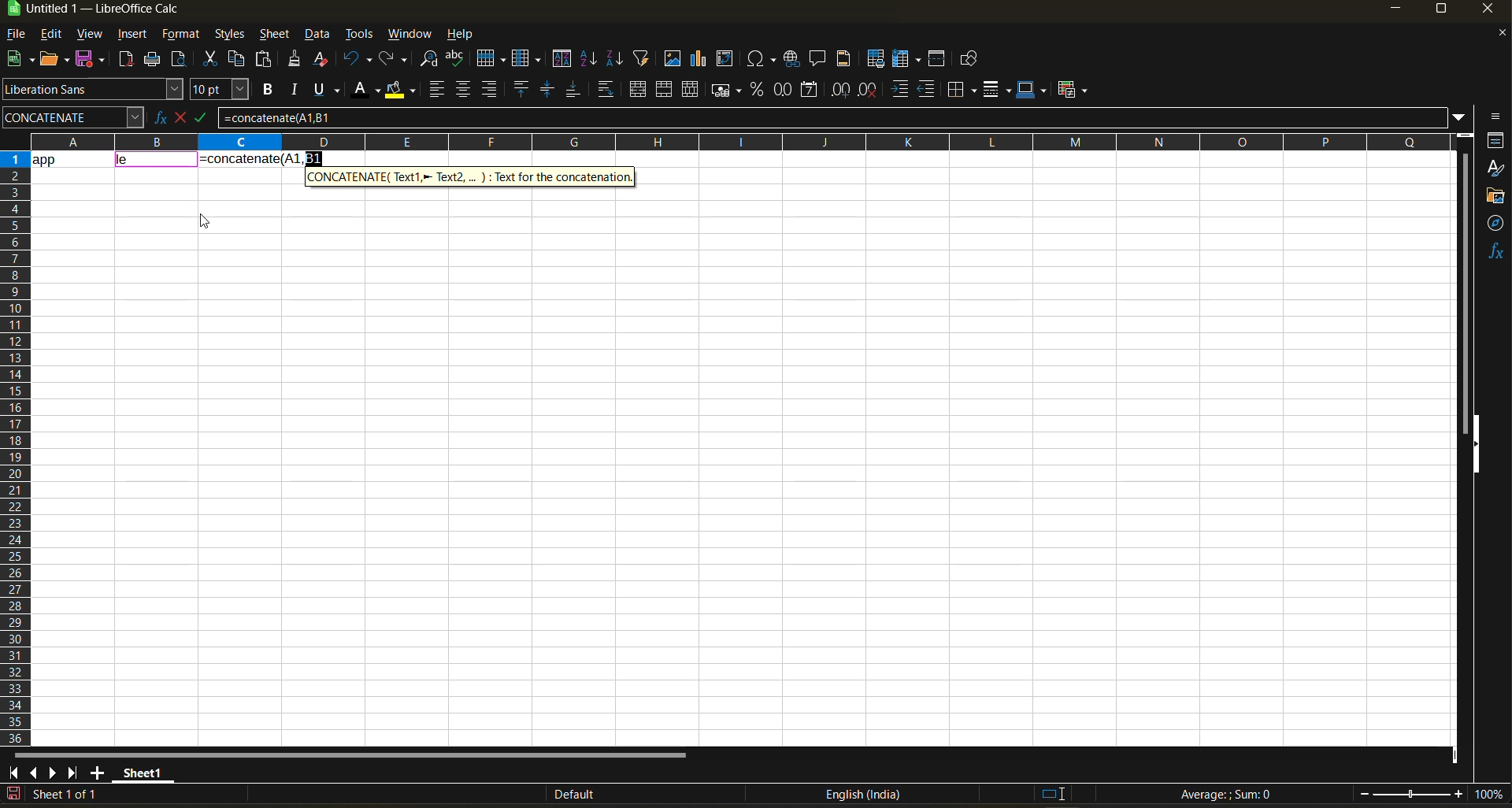 This screenshot has width=1512, height=808. I want to click on freeze rows and columns, so click(910, 60).